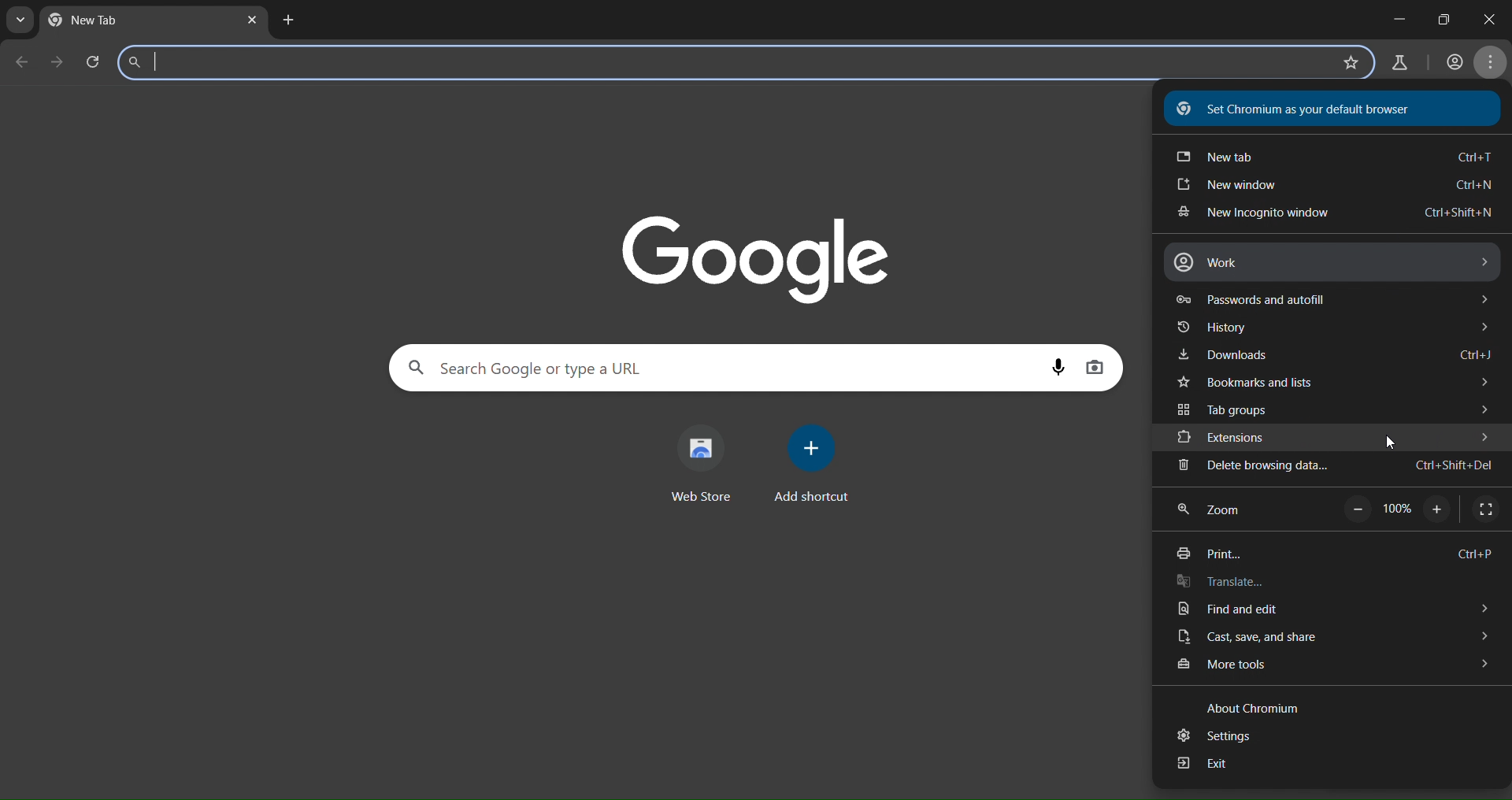 This screenshot has width=1512, height=800. What do you see at coordinates (1339, 639) in the screenshot?
I see `cast save and share` at bounding box center [1339, 639].